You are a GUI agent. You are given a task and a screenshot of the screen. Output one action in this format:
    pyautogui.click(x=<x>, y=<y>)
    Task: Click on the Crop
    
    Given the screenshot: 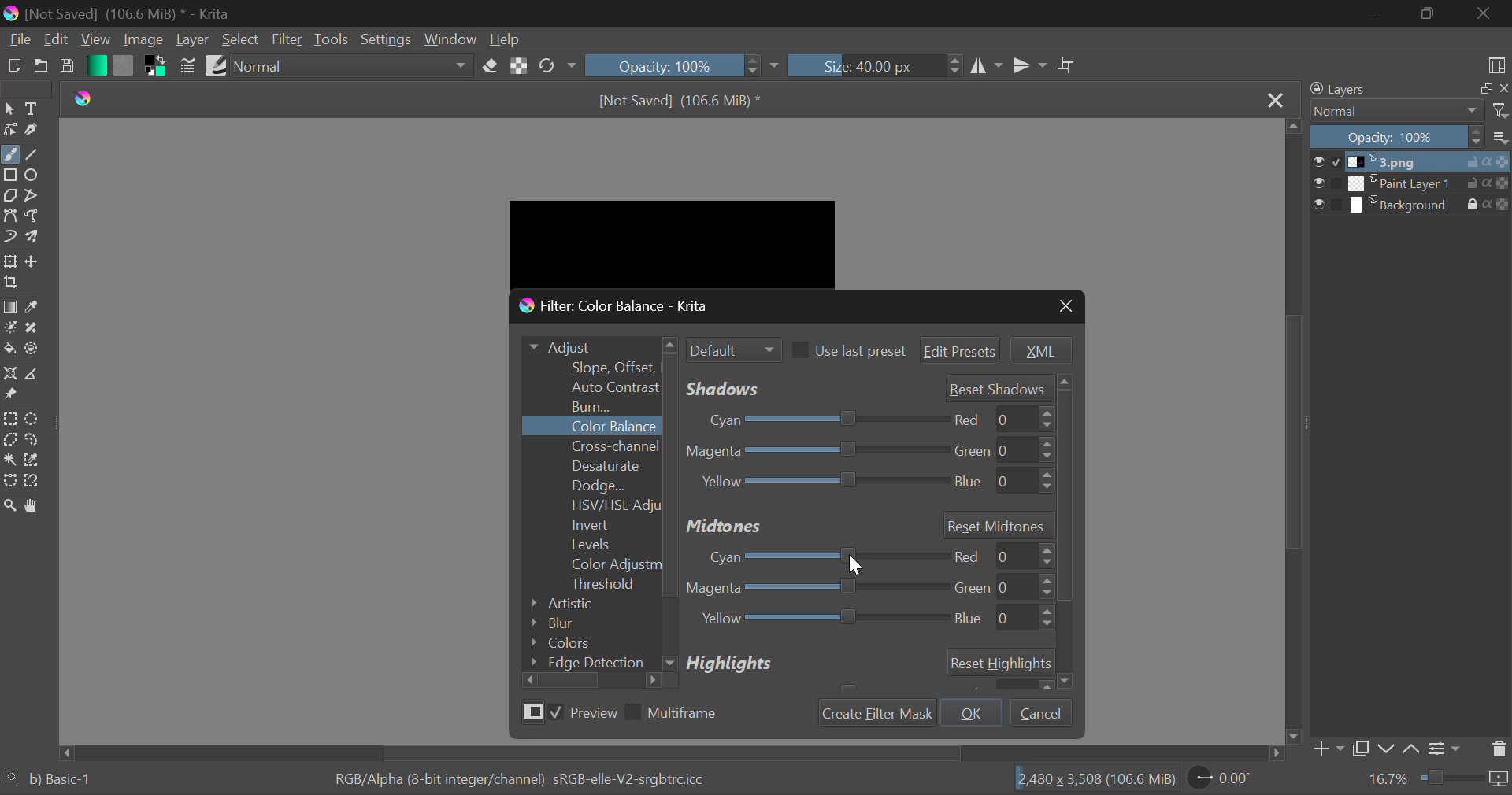 What is the action you would take?
    pyautogui.click(x=13, y=283)
    